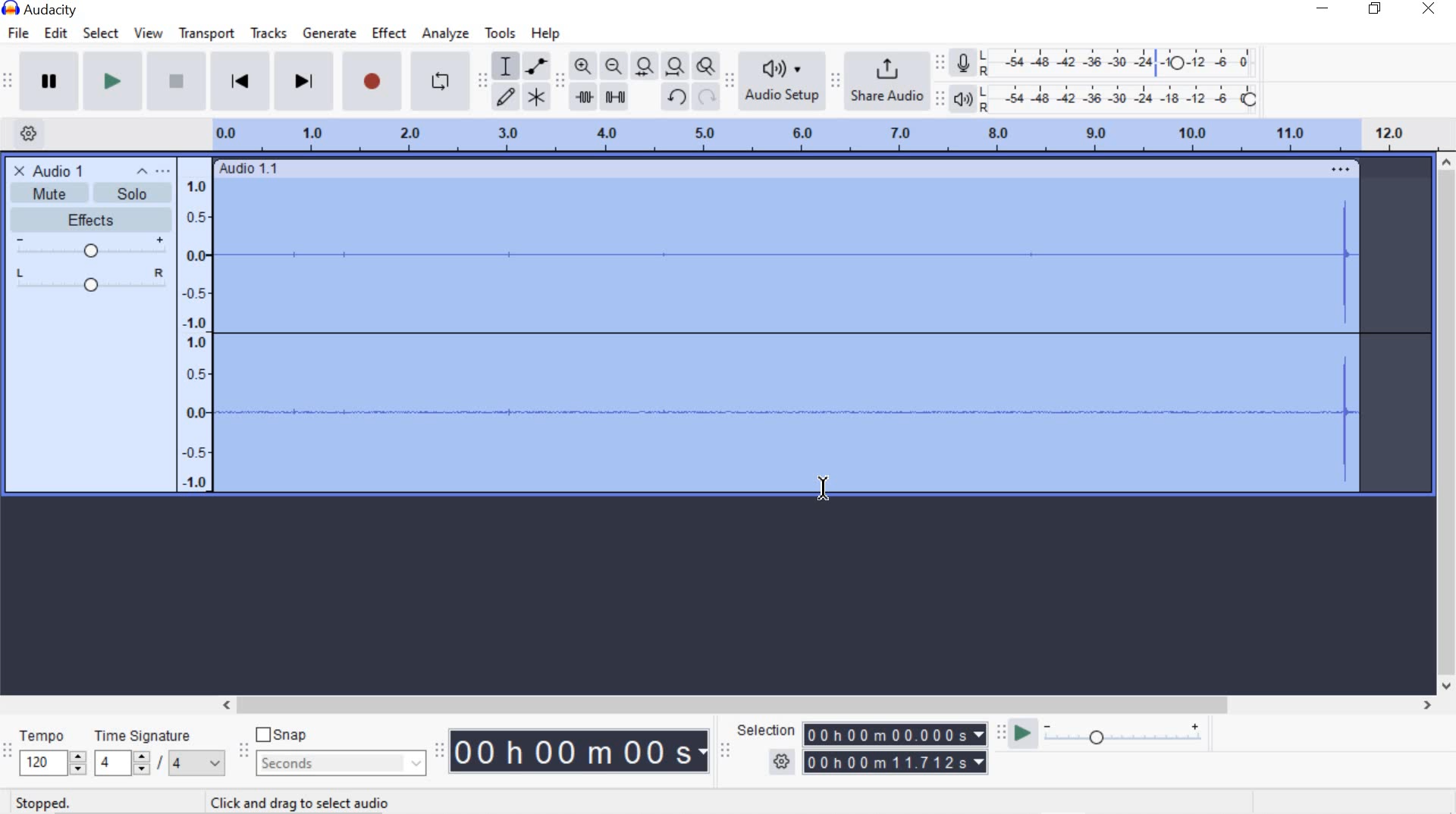 Image resolution: width=1456 pixels, height=814 pixels. I want to click on Play, so click(113, 83).